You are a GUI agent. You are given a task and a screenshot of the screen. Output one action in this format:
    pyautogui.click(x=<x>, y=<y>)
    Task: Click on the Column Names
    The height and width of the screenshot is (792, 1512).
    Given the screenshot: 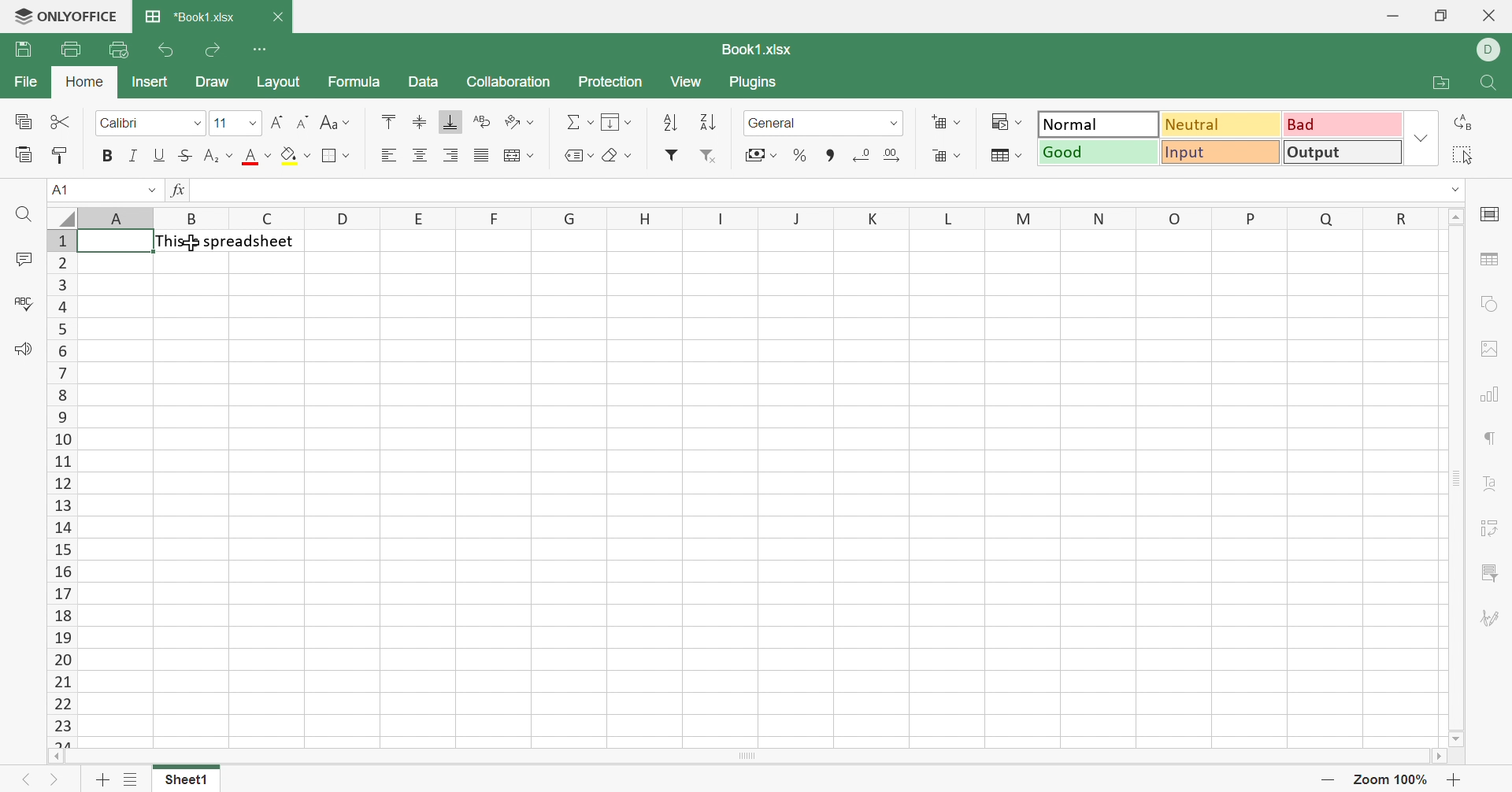 What is the action you would take?
    pyautogui.click(x=746, y=218)
    